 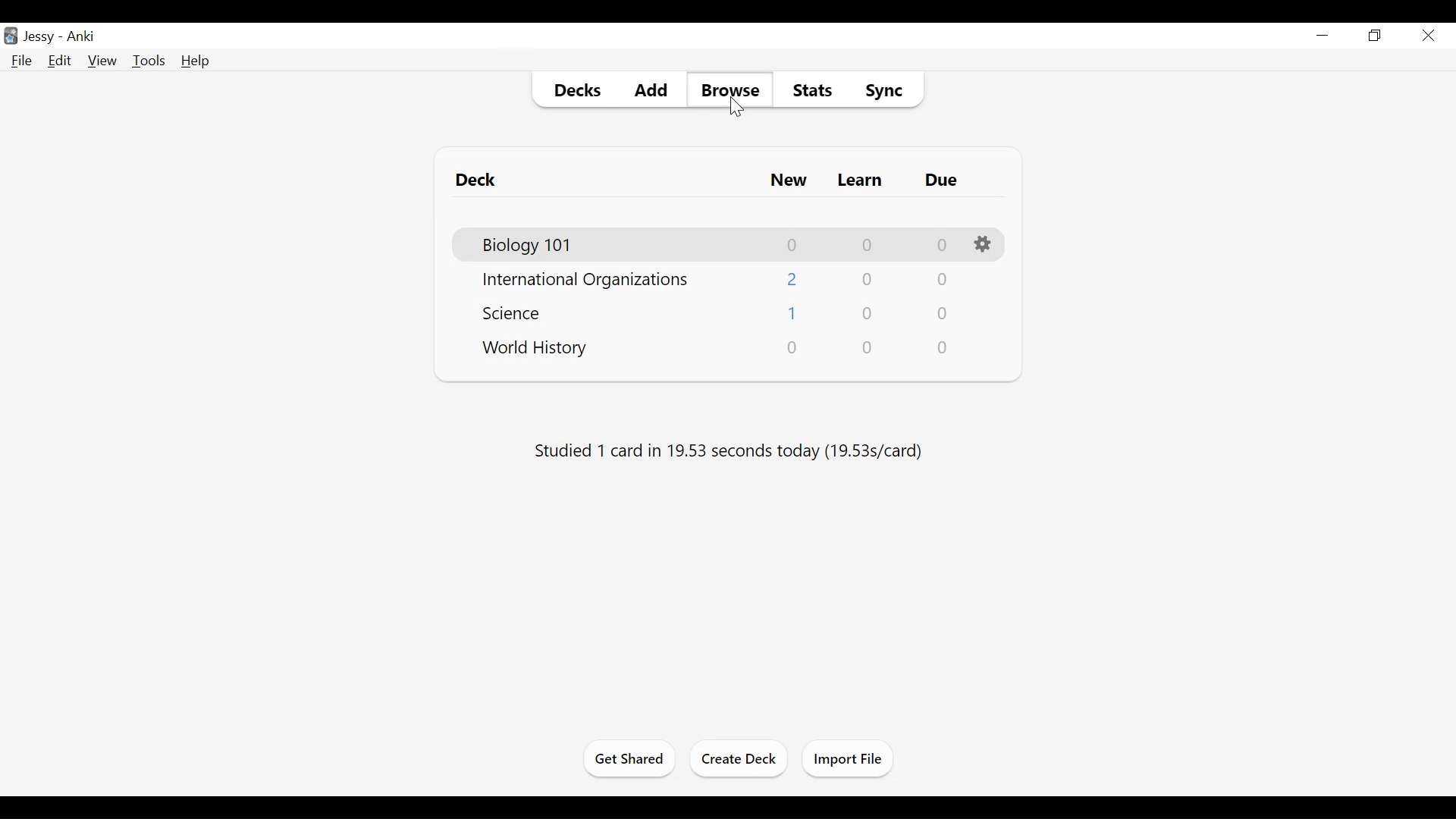 I want to click on Close, so click(x=1426, y=35).